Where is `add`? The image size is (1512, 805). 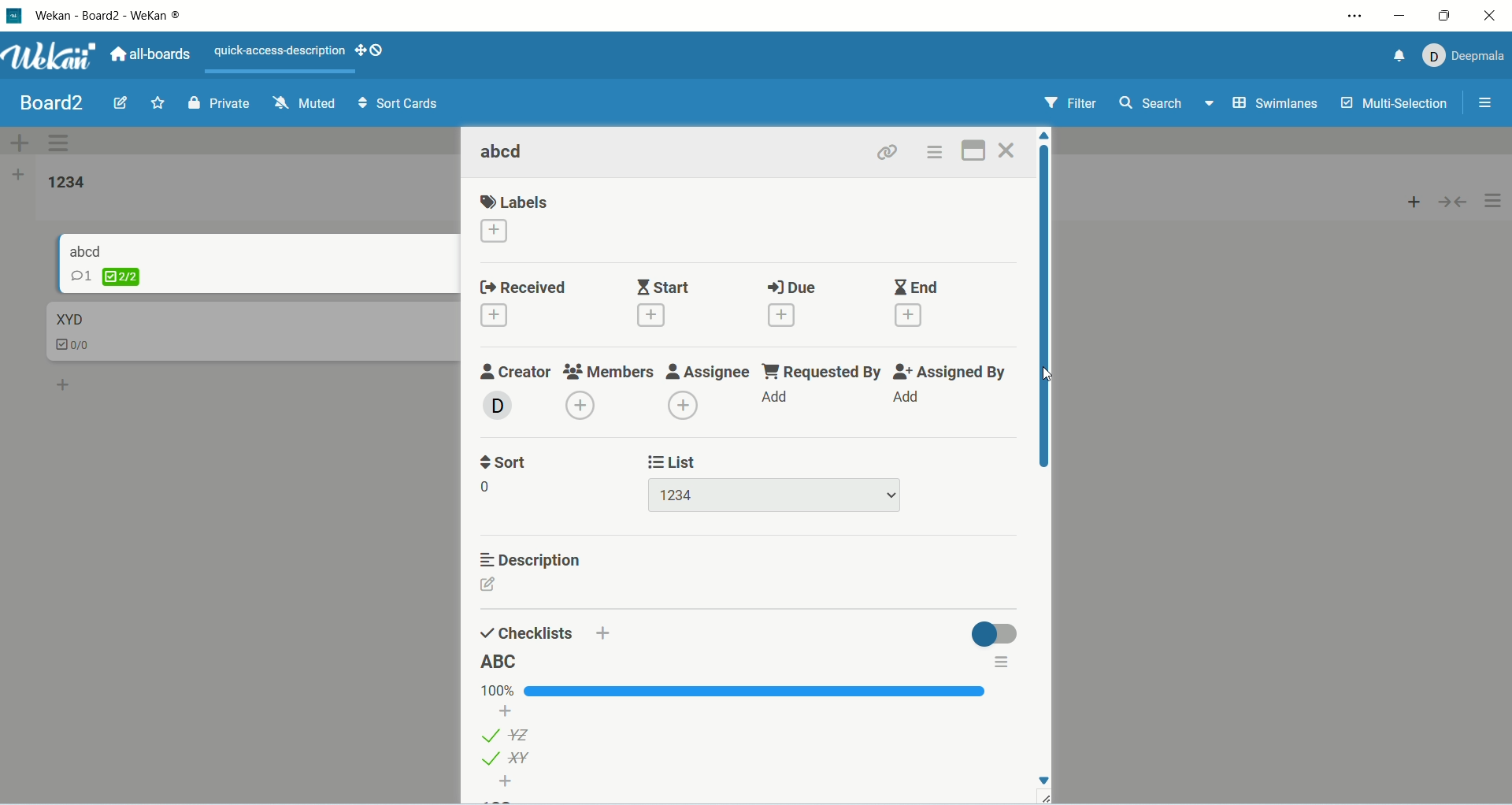
add is located at coordinates (507, 710).